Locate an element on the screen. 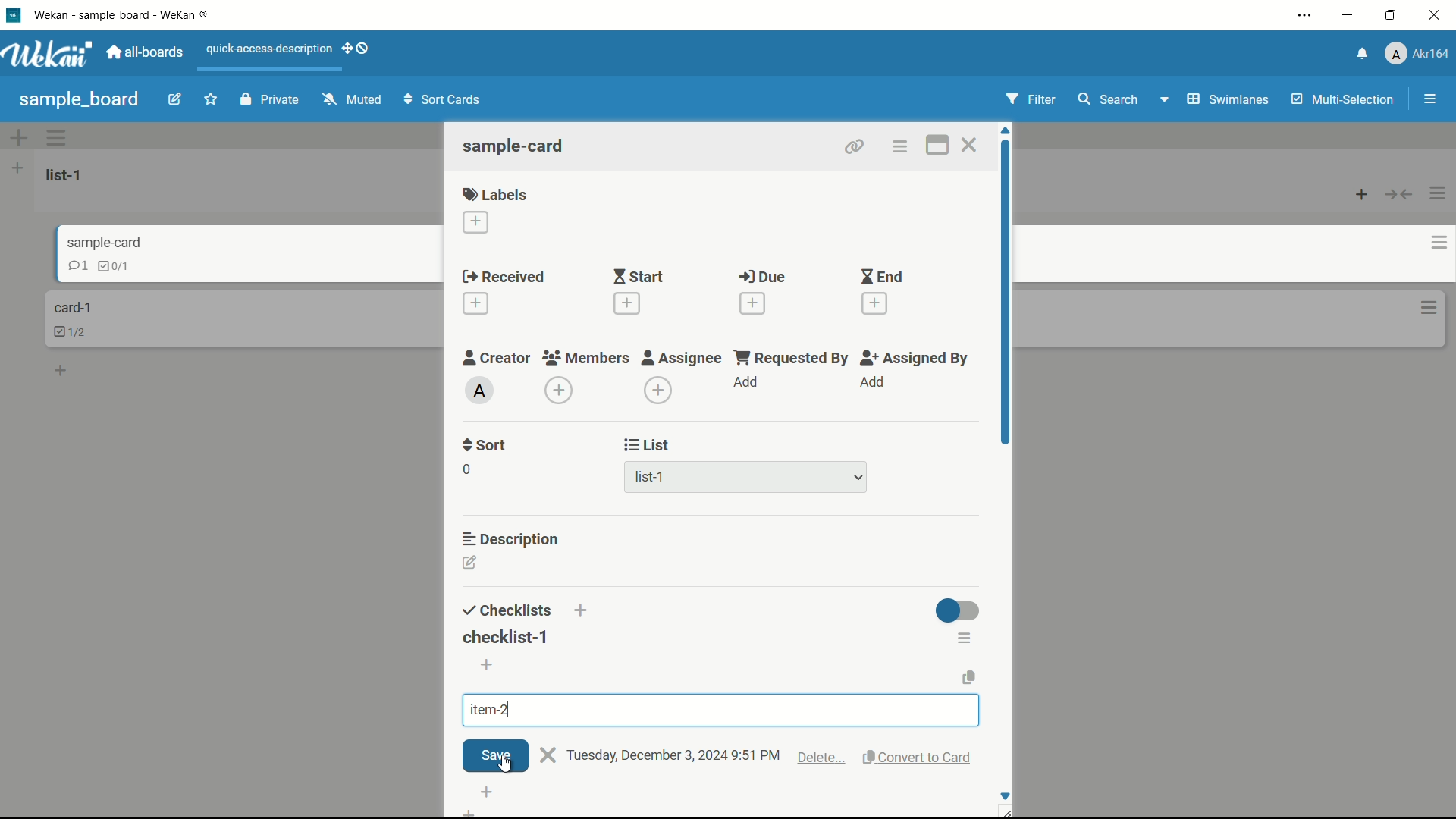 The width and height of the screenshot is (1456, 819). add is located at coordinates (747, 381).